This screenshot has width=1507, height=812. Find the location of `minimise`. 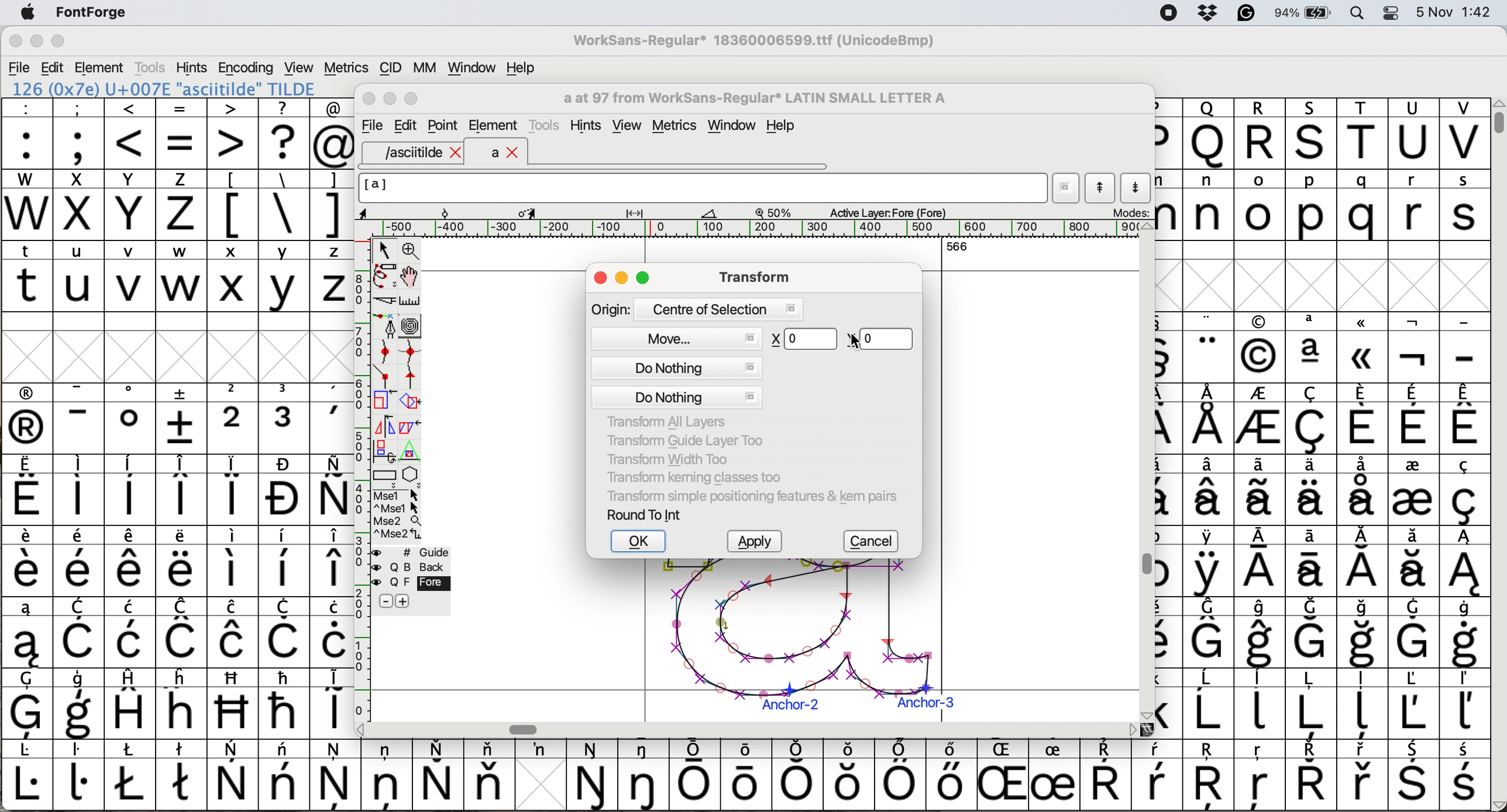

minimise is located at coordinates (35, 42).